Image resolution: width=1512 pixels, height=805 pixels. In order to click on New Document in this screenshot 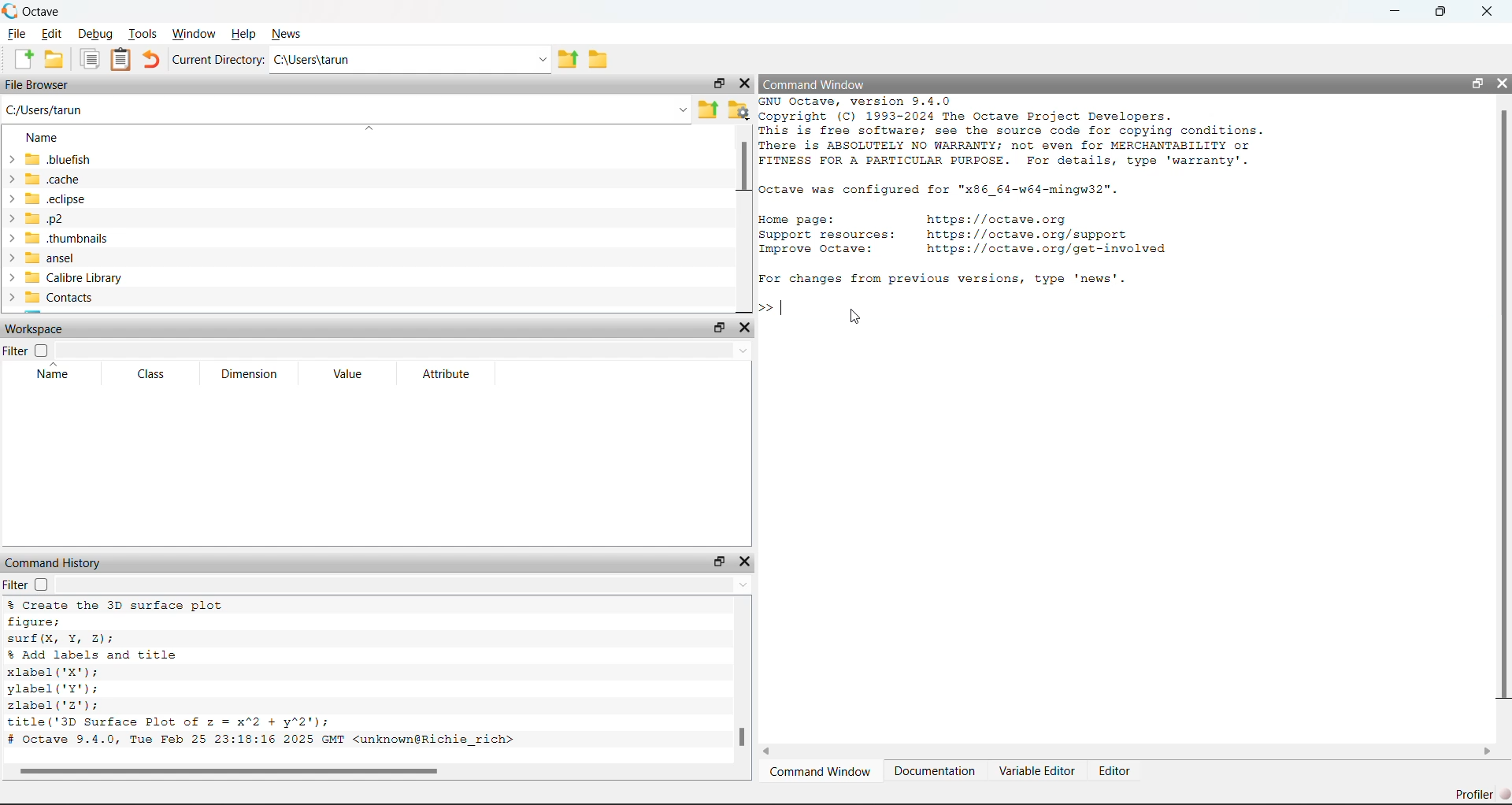, I will do `click(23, 59)`.